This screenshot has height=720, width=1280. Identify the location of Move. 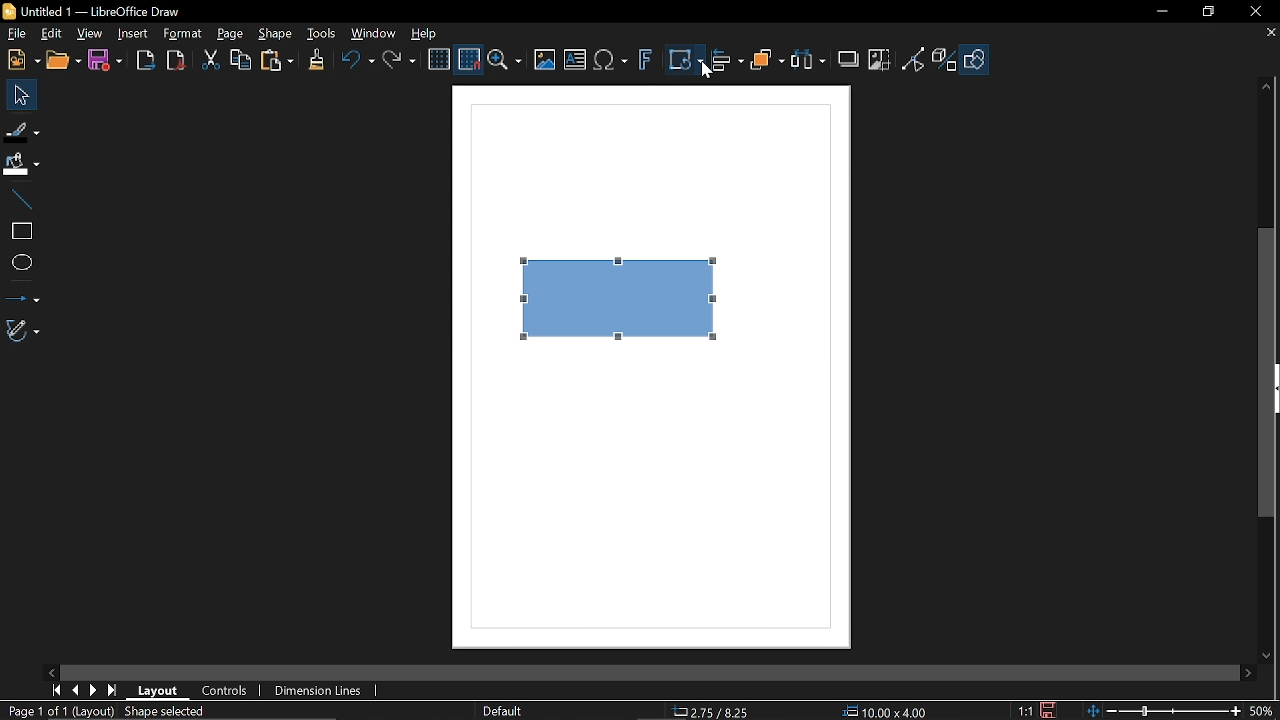
(17, 94).